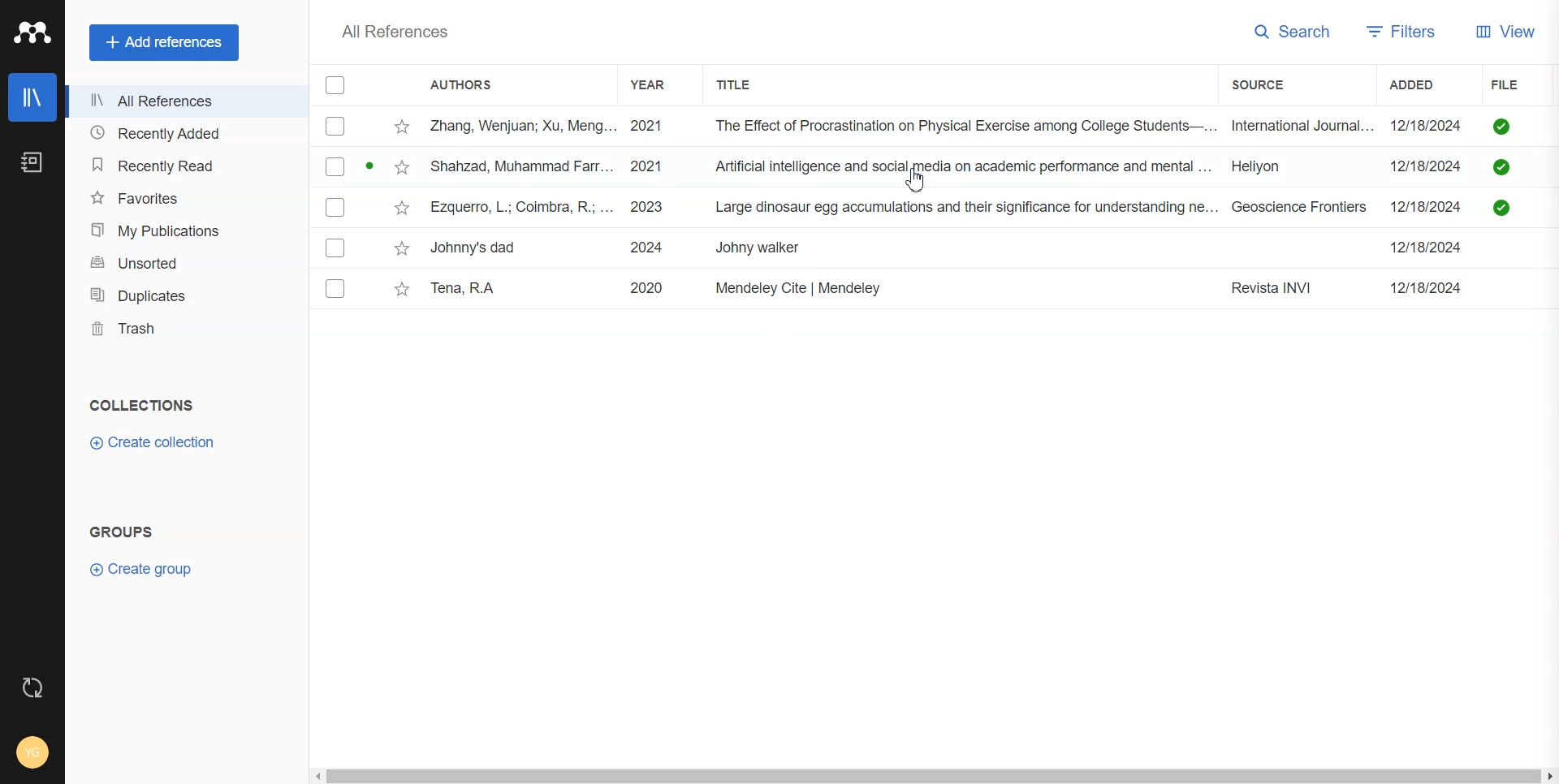  What do you see at coordinates (184, 227) in the screenshot?
I see `My Publication` at bounding box center [184, 227].